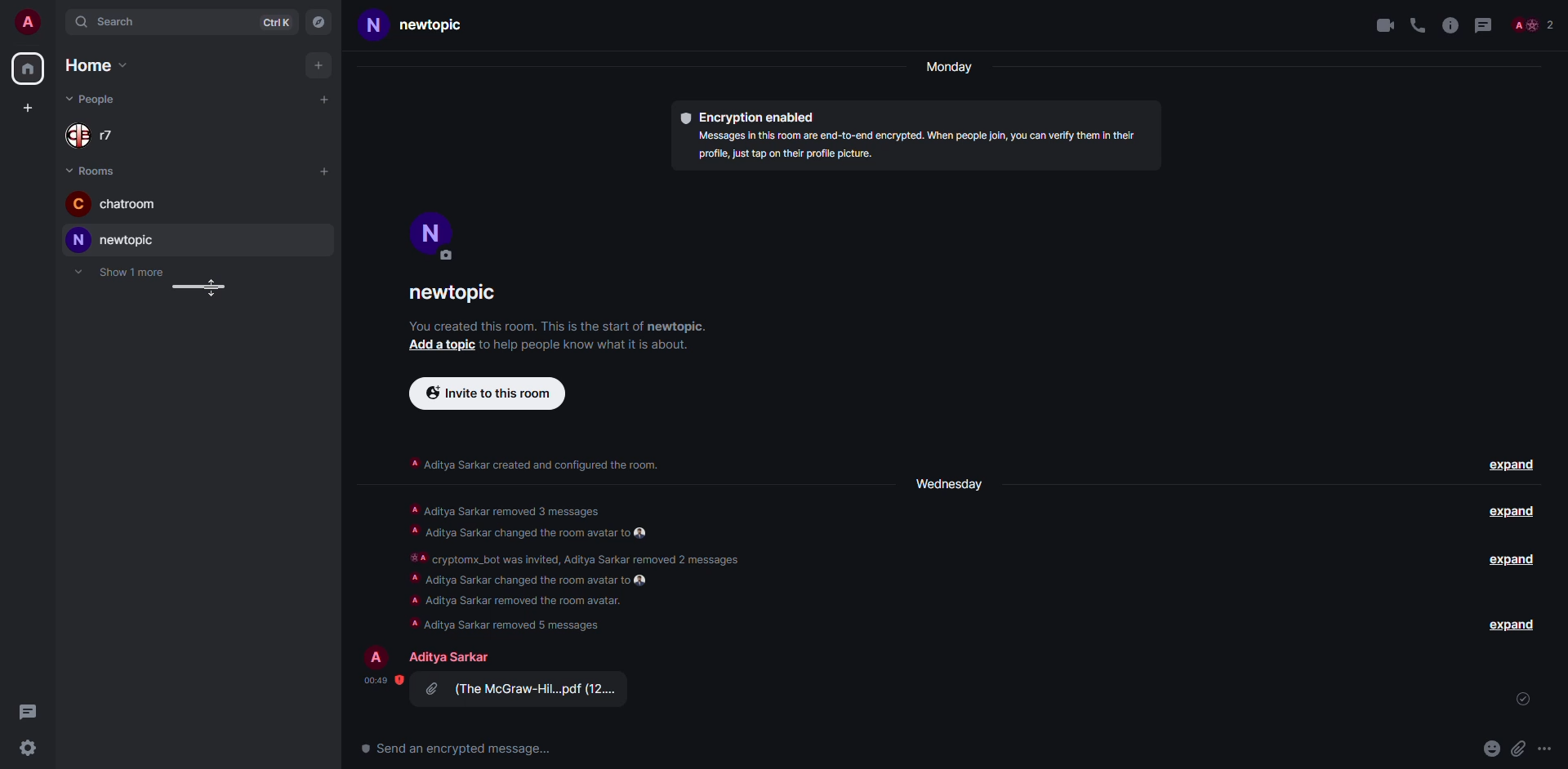 The width and height of the screenshot is (1568, 769). I want to click on Ctrl K, so click(279, 22).